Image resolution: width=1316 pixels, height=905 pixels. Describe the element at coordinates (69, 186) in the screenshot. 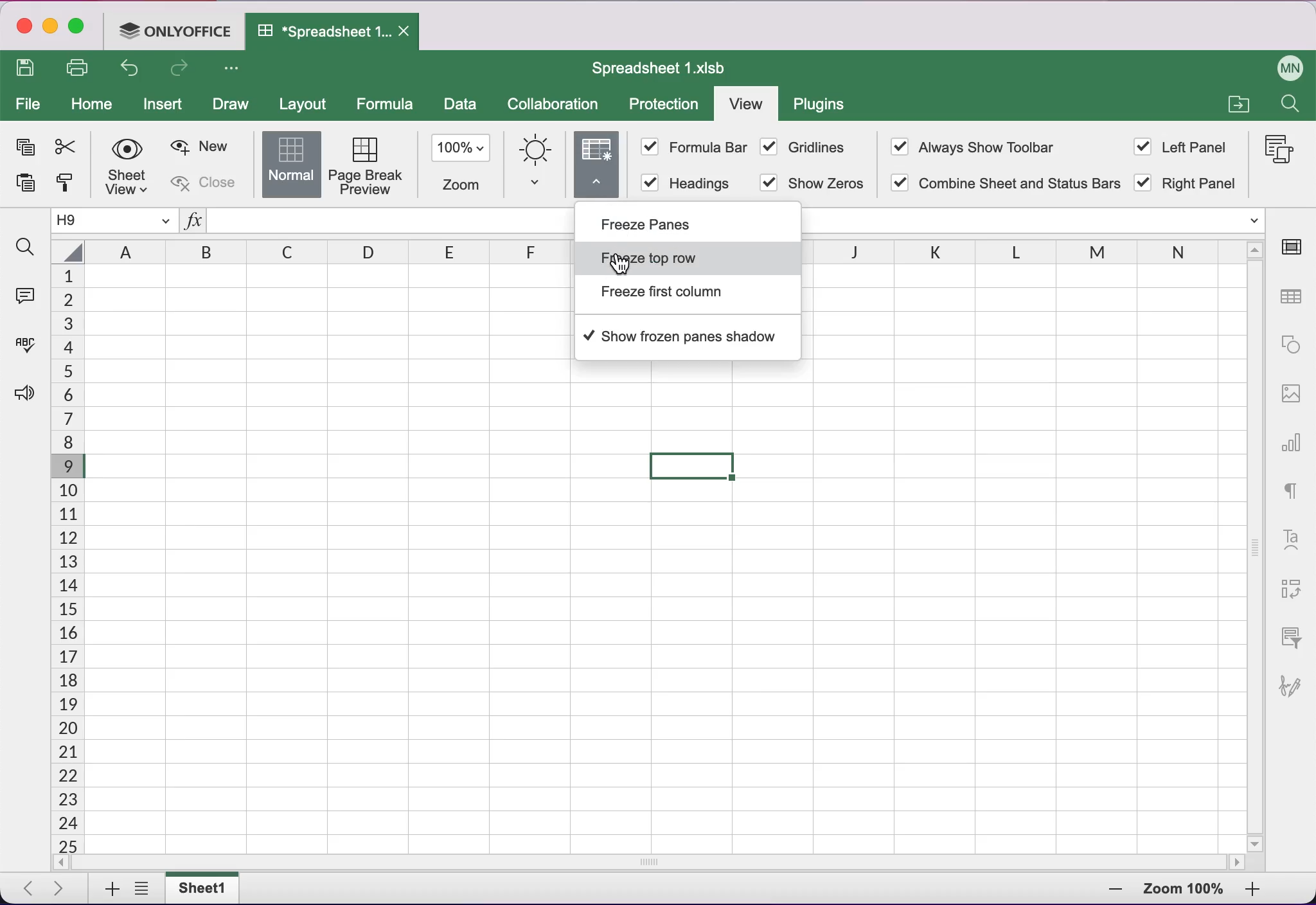

I see `copy style` at that location.